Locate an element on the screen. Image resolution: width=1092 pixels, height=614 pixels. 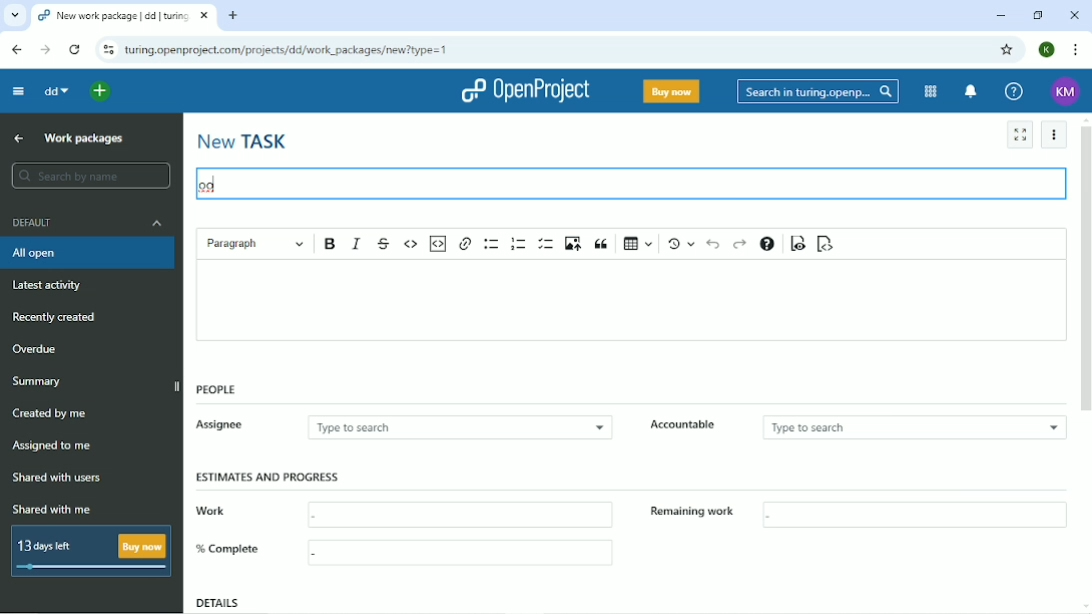
turing.openproject.com/projects/dd/work_packages/new?type=1 is located at coordinates (289, 50).